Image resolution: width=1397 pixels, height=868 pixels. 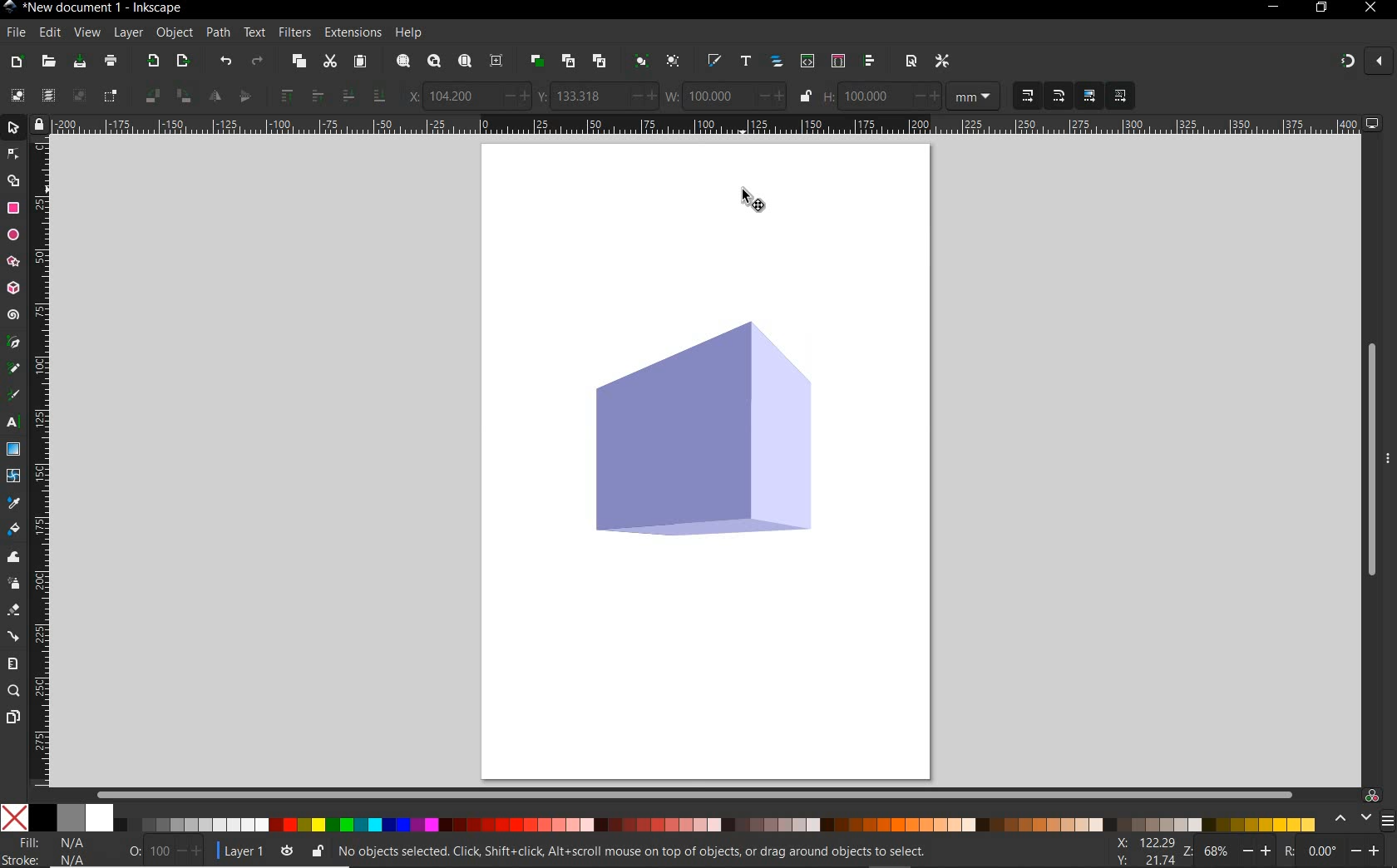 I want to click on zoom, so click(x=1187, y=852).